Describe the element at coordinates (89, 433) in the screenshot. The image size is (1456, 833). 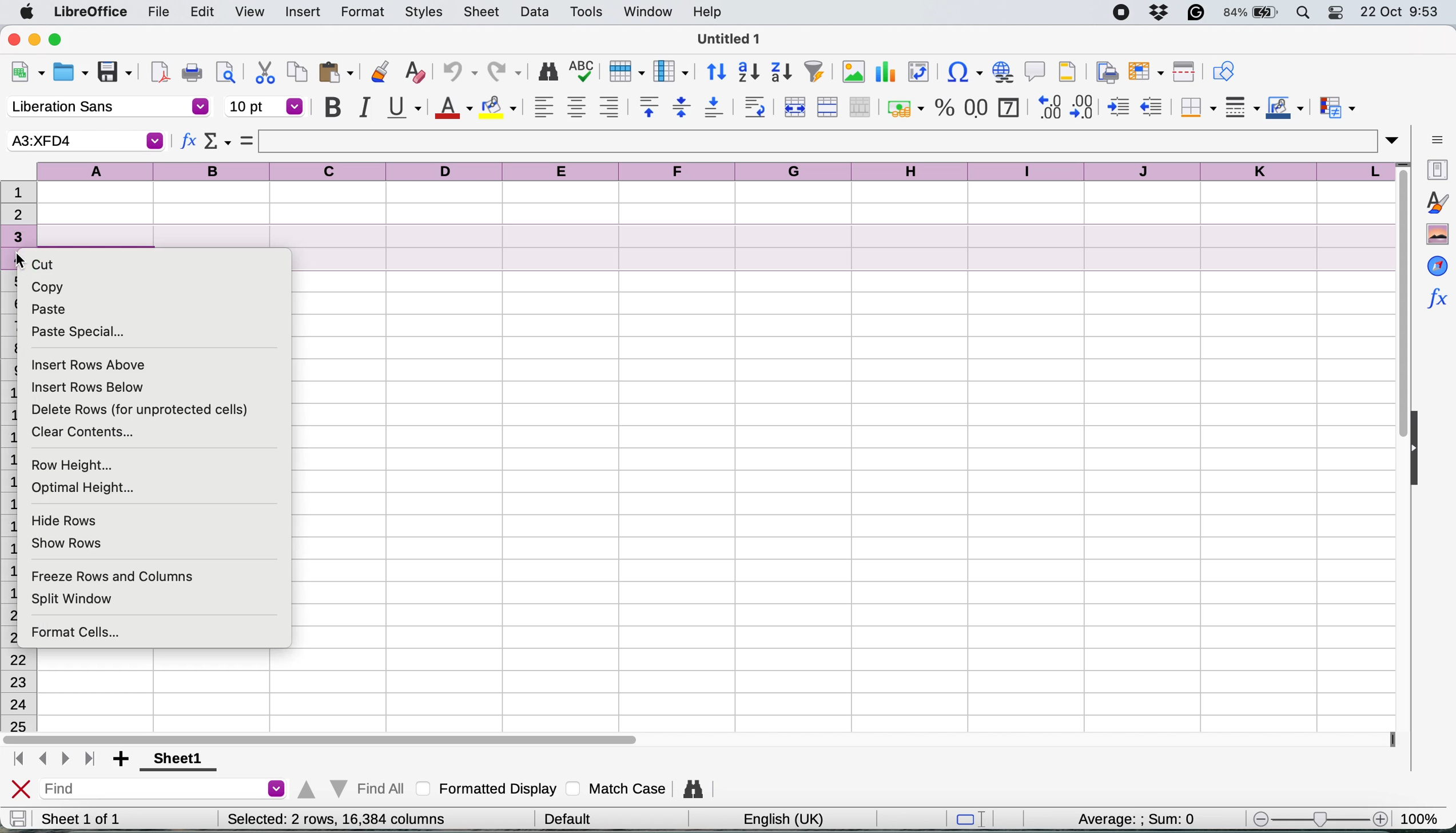
I see `clear contents` at that location.